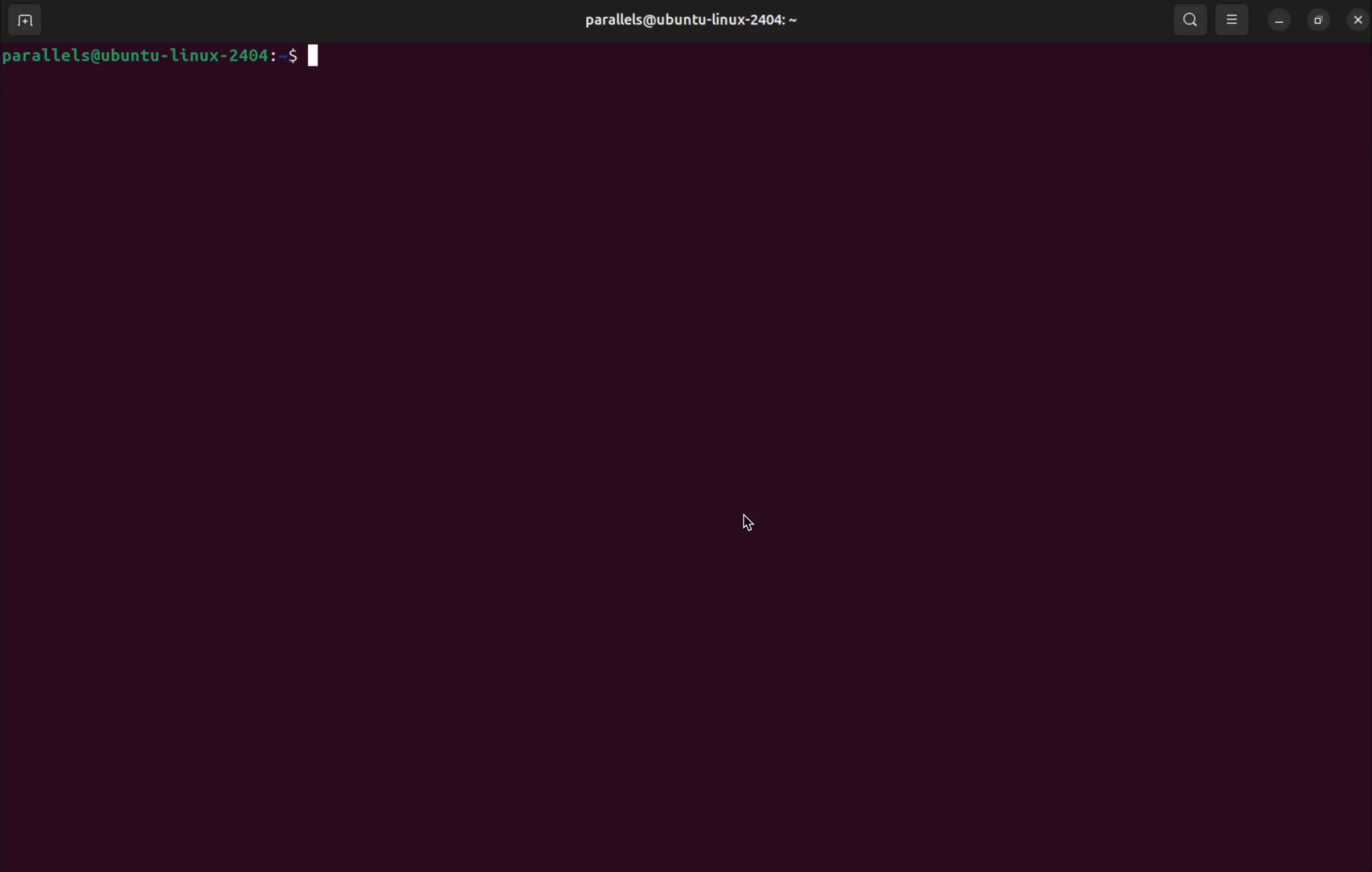 This screenshot has width=1372, height=872. Describe the element at coordinates (1280, 21) in the screenshot. I see `minimize` at that location.